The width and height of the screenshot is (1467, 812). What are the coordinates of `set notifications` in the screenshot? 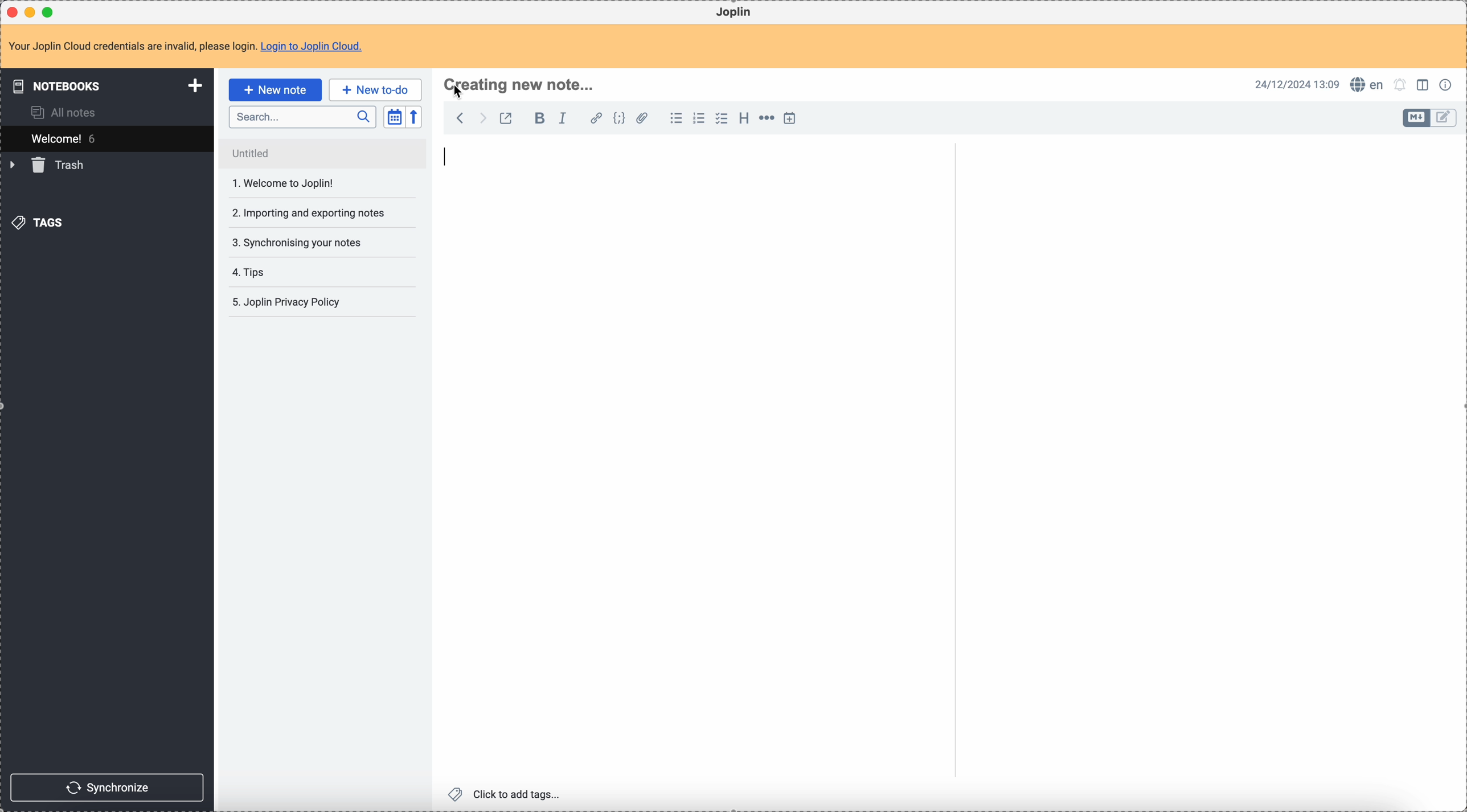 It's located at (1400, 84).